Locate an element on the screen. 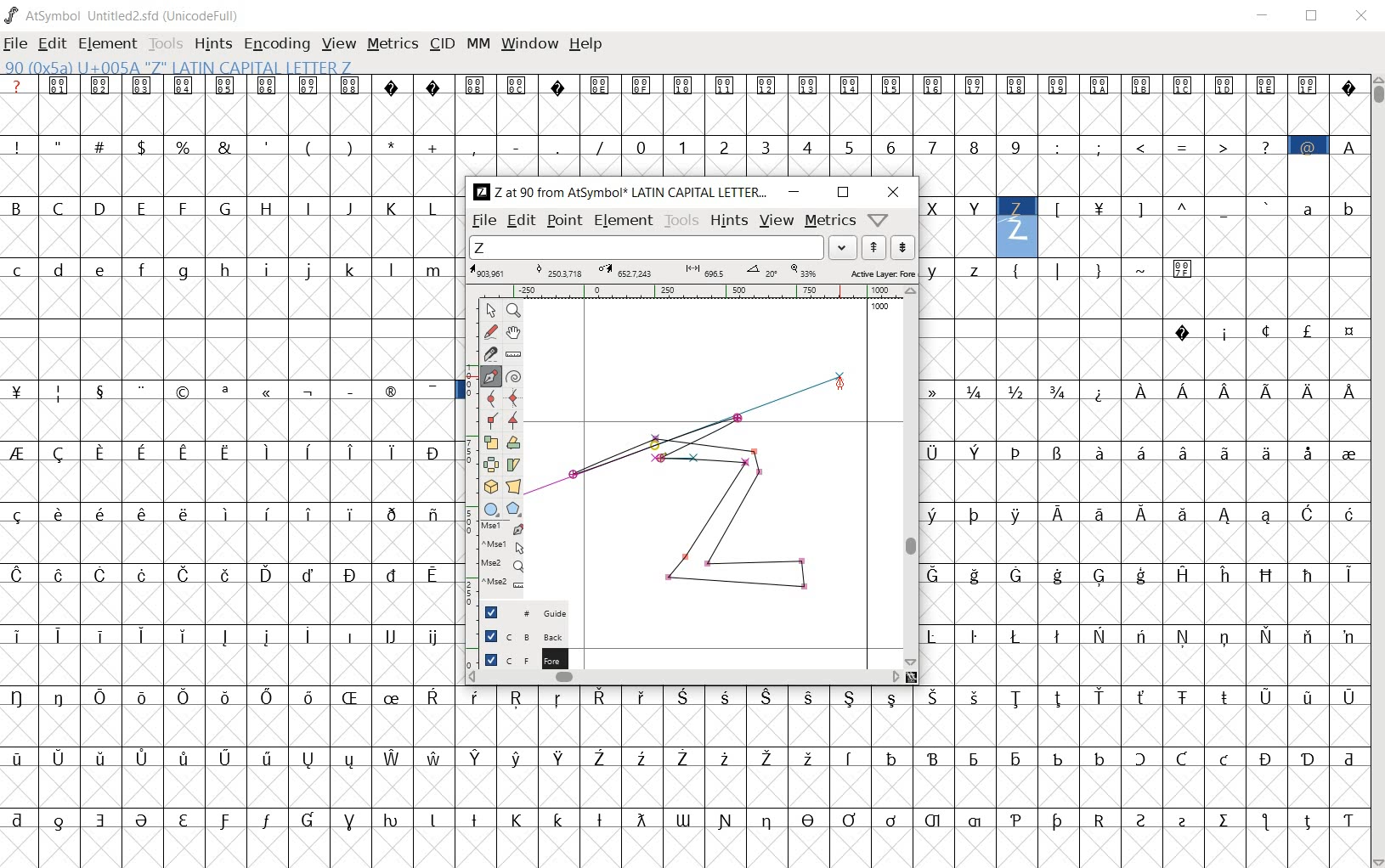  encoding is located at coordinates (275, 44).